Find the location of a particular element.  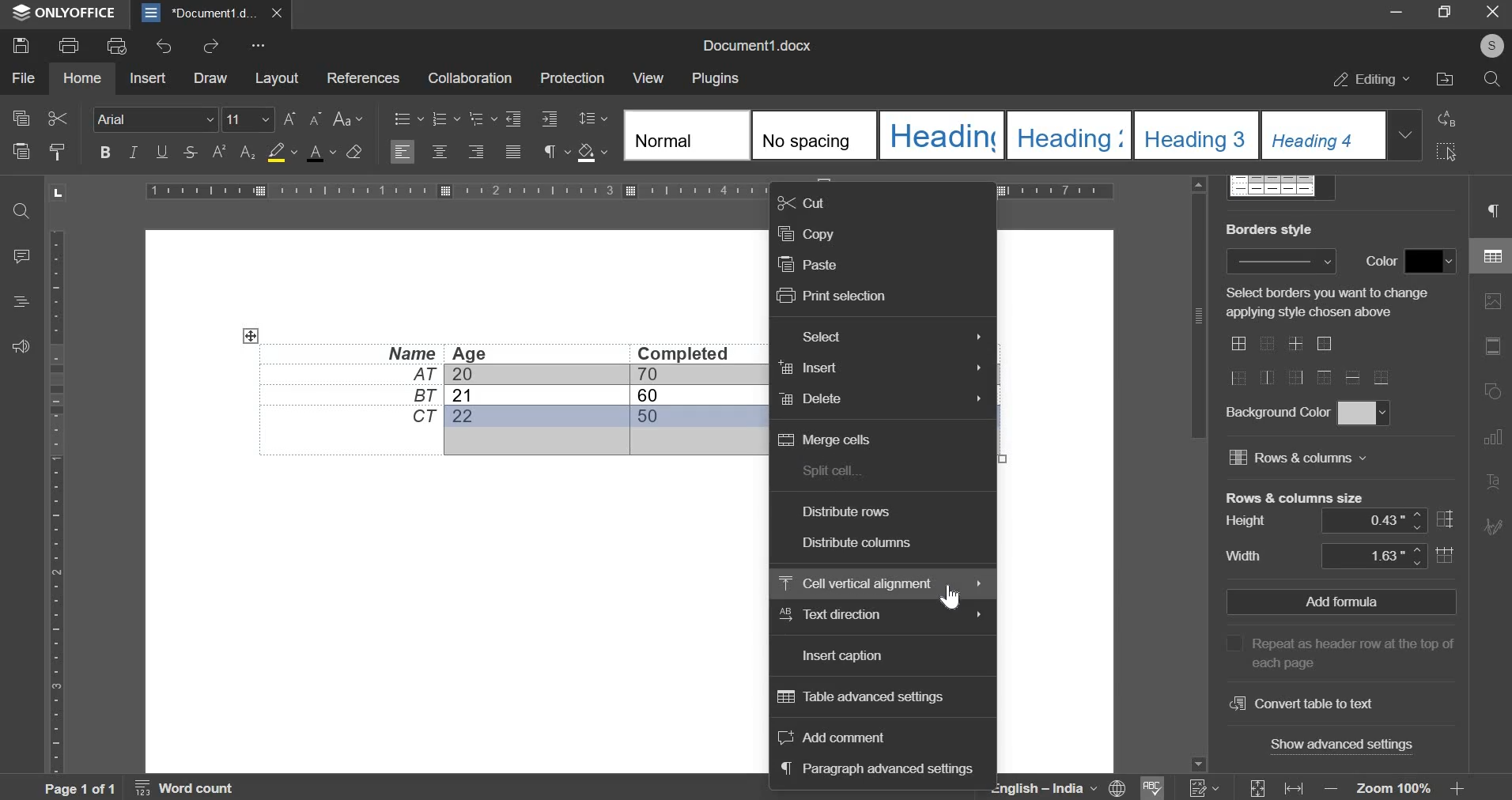

cut is located at coordinates (804, 201).